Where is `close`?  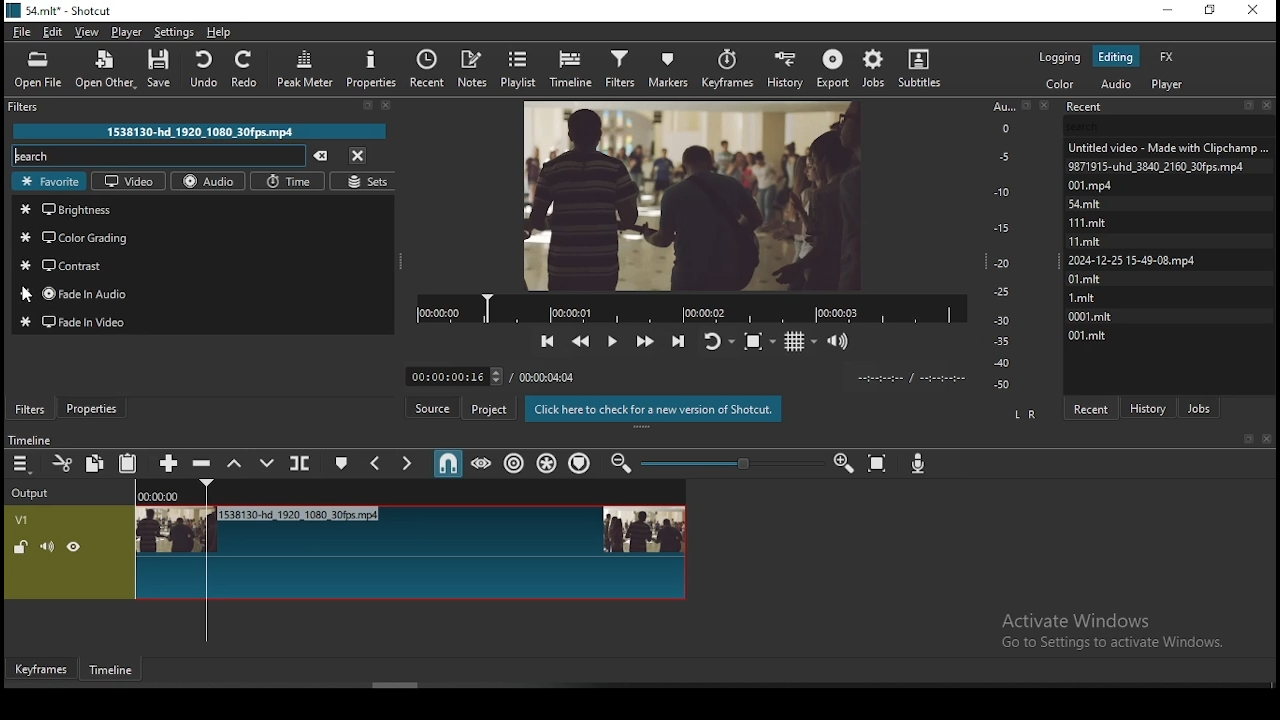
close is located at coordinates (1267, 440).